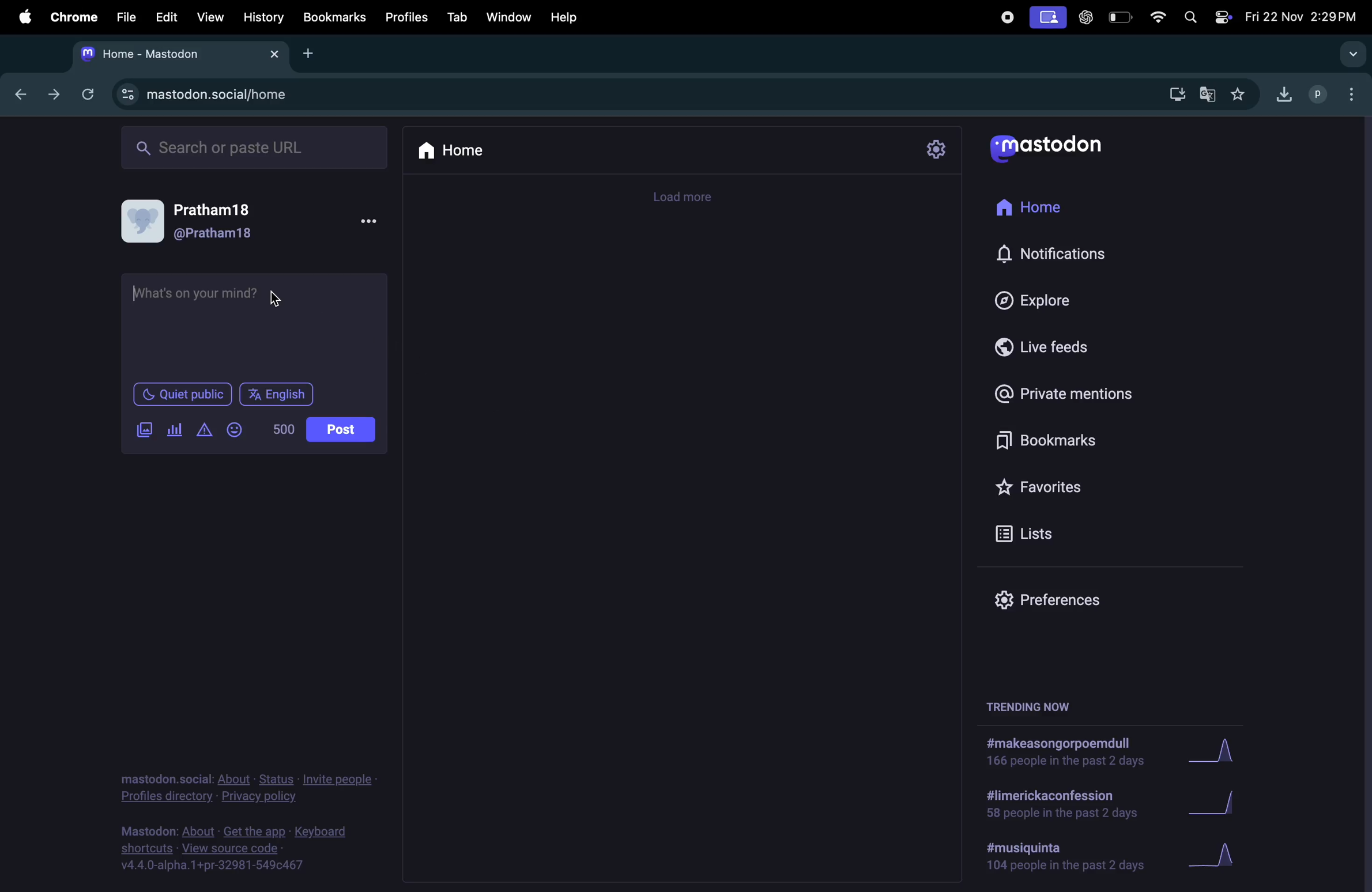  What do you see at coordinates (1208, 94) in the screenshot?
I see `translate` at bounding box center [1208, 94].